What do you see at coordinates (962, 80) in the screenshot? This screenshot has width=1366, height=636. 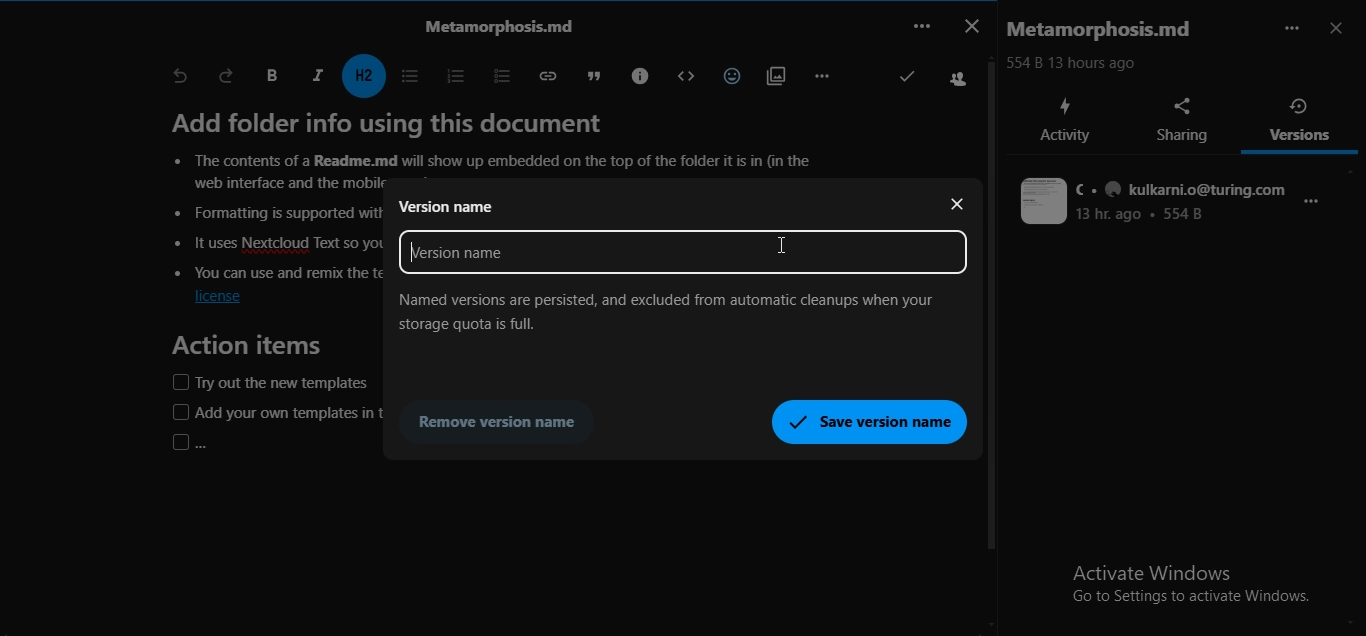 I see `Users` at bounding box center [962, 80].